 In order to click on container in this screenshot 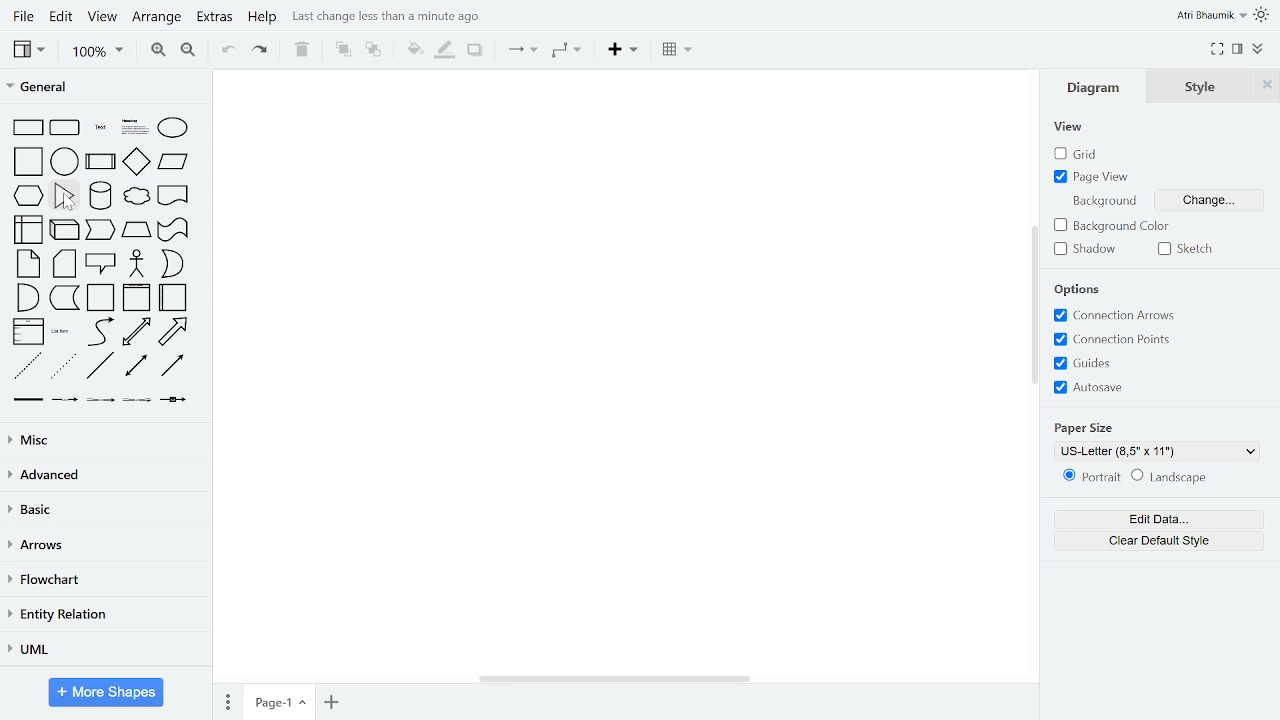, I will do `click(100, 298)`.